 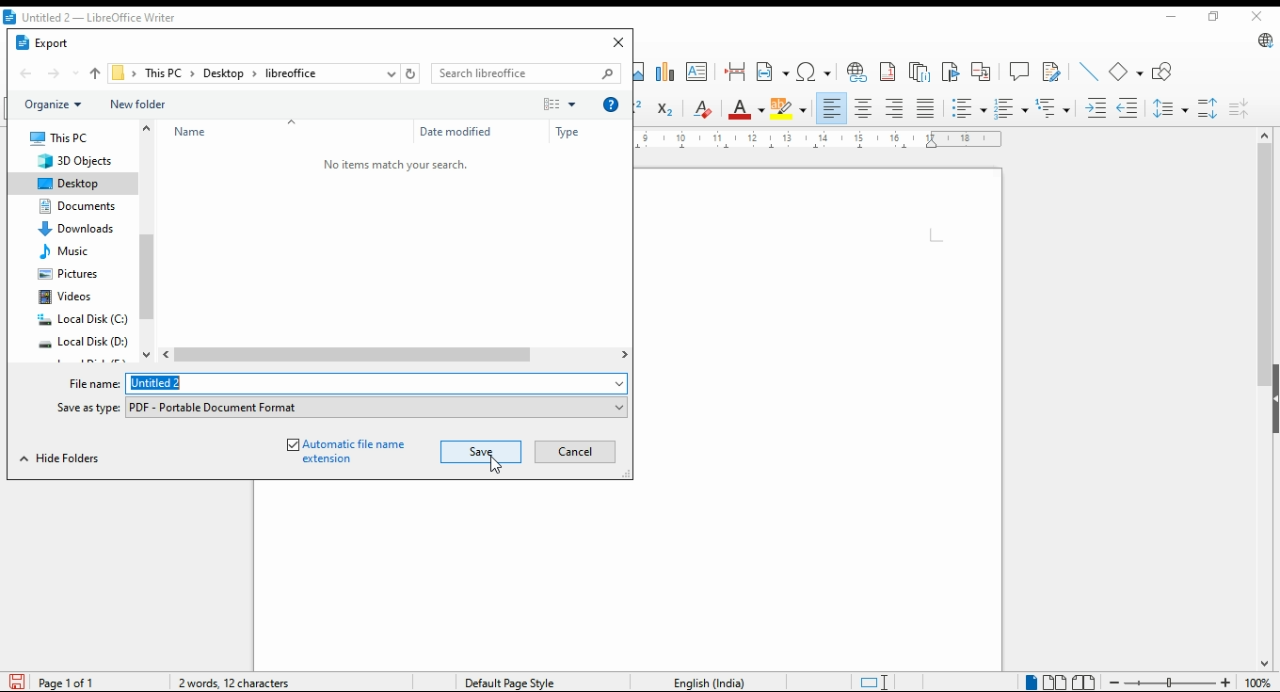 I want to click on downloads, so click(x=80, y=231).